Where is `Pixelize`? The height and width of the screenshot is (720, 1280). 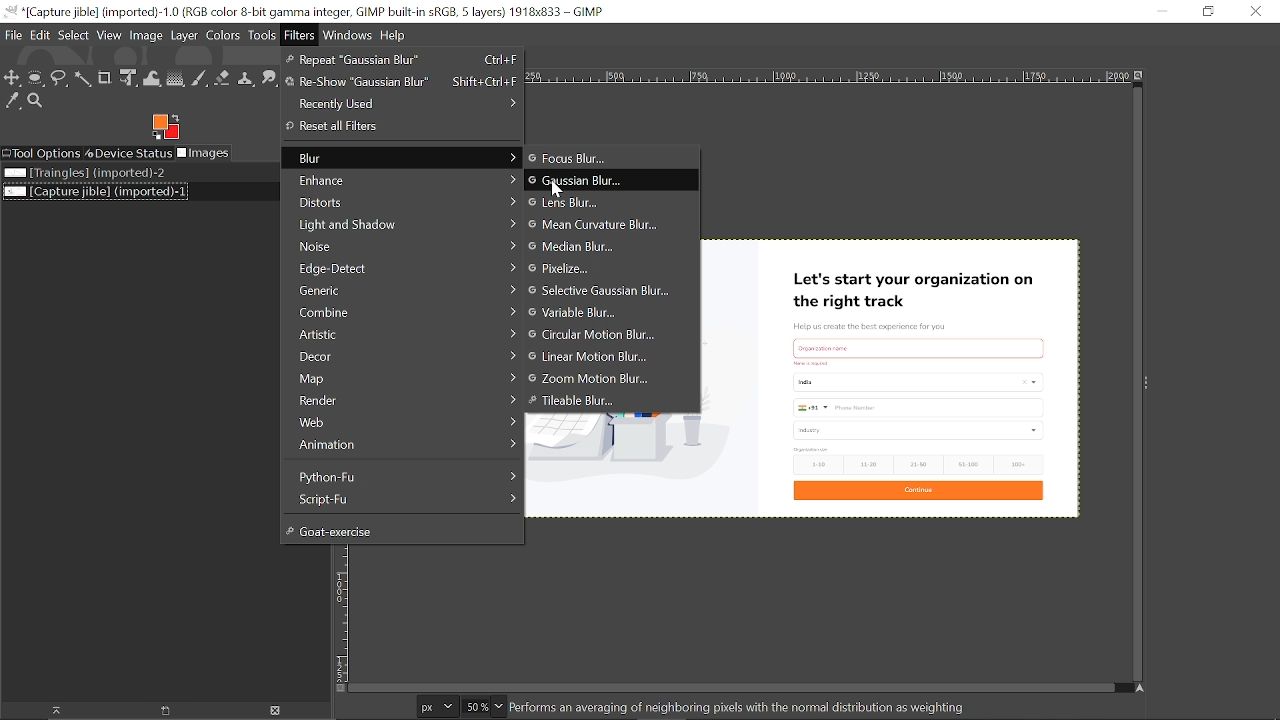
Pixelize is located at coordinates (593, 269).